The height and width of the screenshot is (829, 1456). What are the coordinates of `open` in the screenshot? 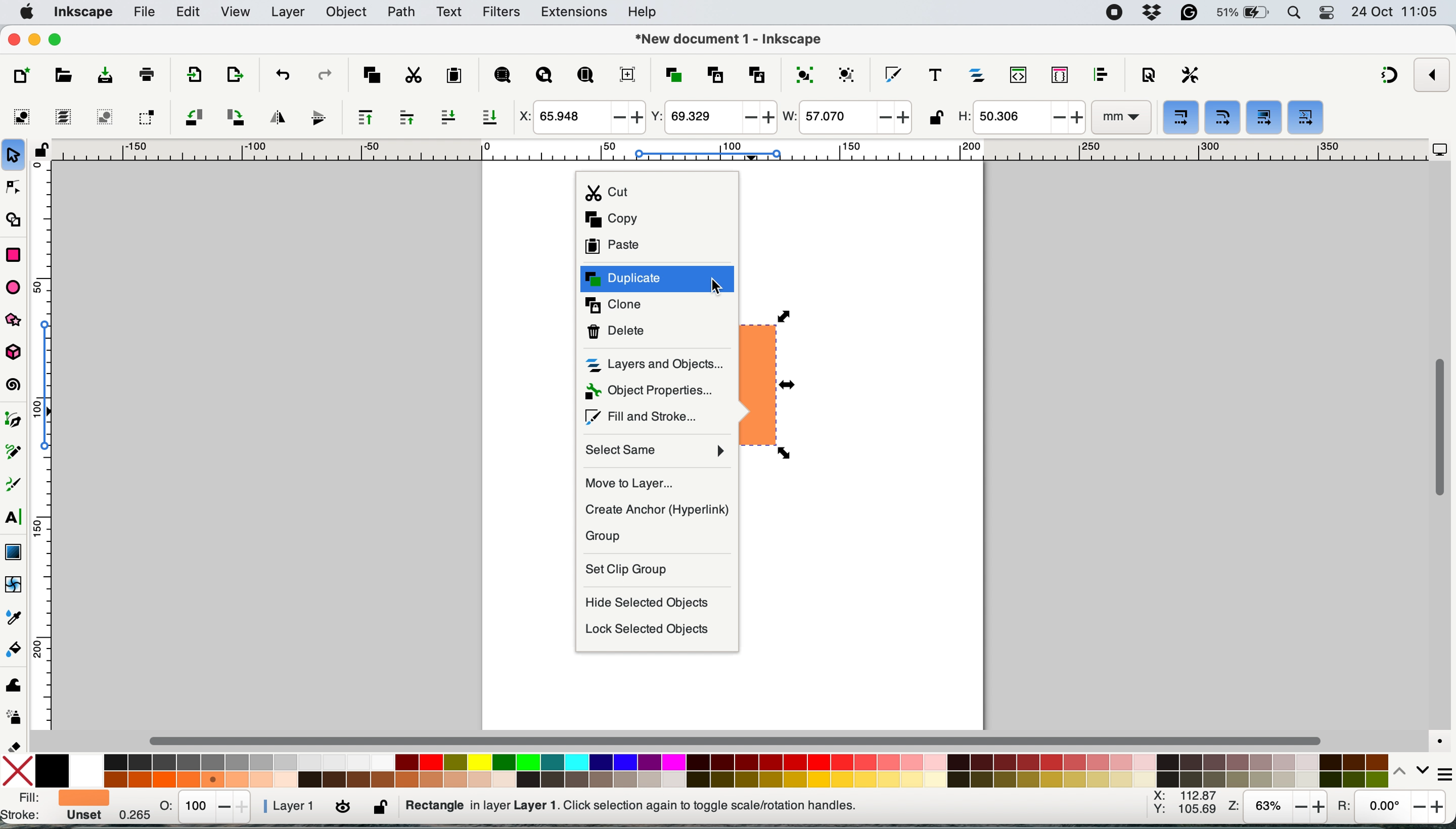 It's located at (62, 77).